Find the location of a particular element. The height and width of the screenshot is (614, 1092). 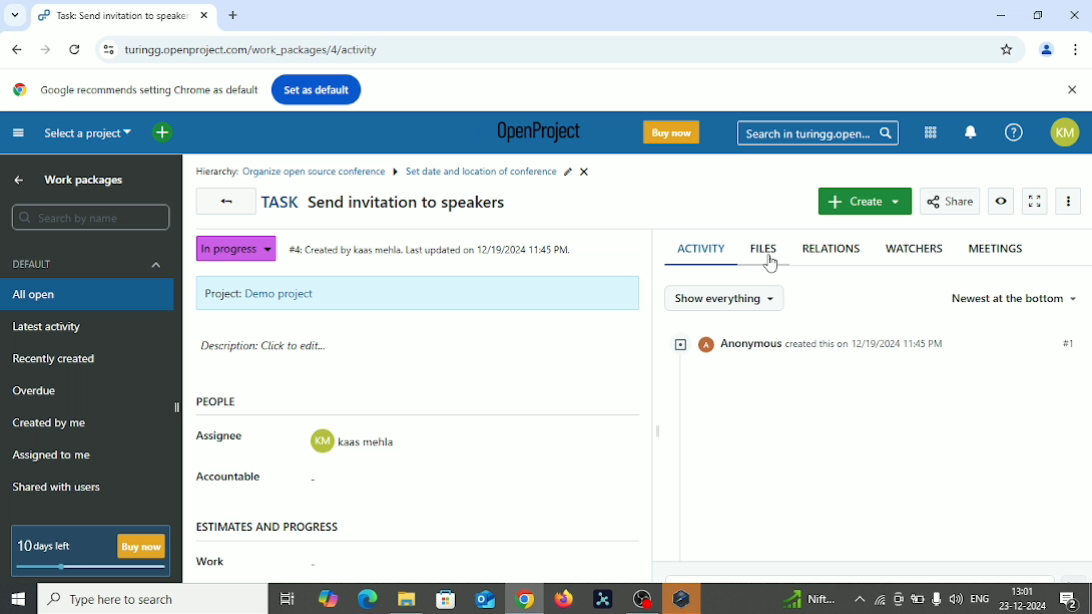

Modules is located at coordinates (930, 132).